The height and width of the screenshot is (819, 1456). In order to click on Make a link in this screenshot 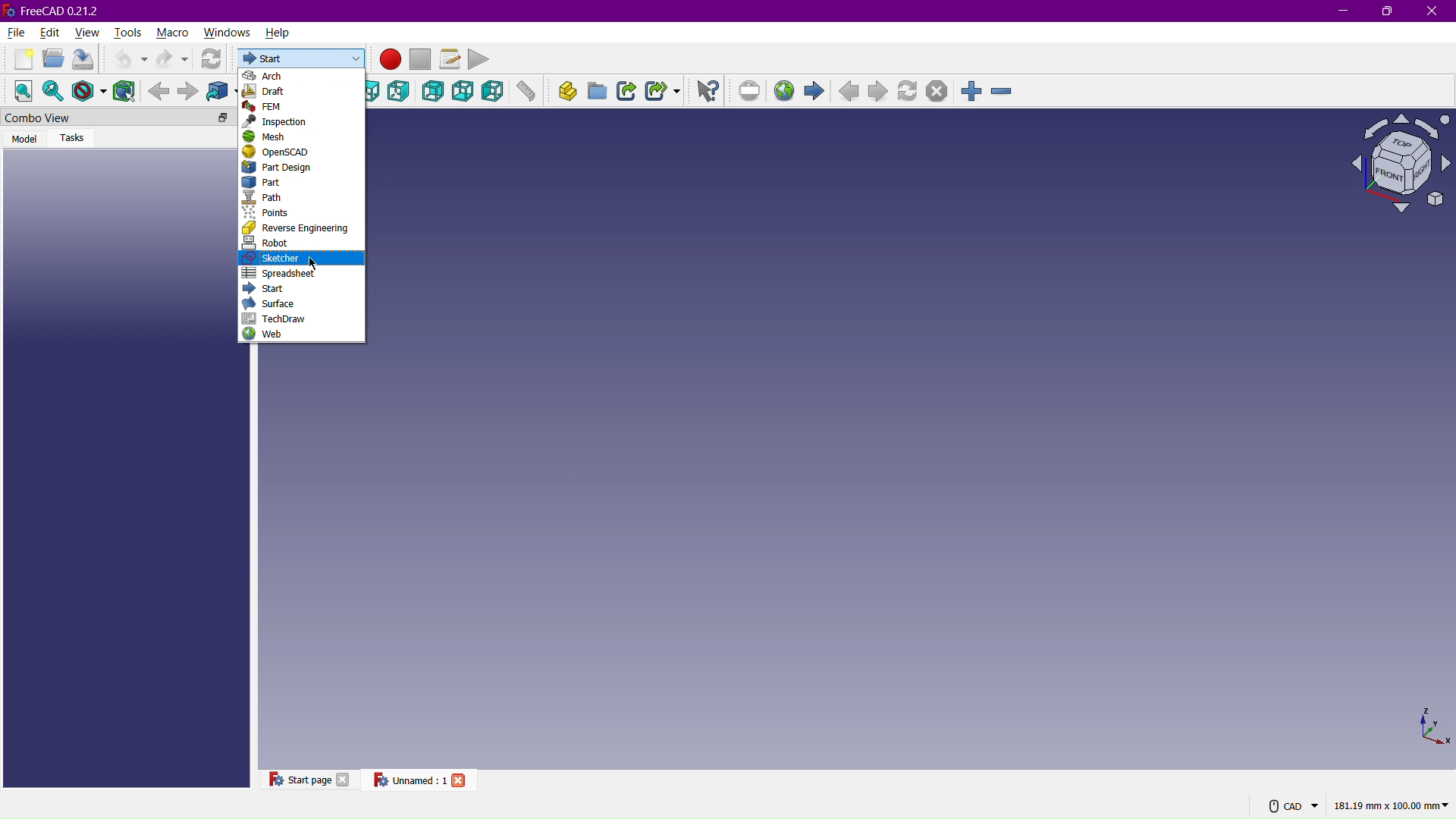, I will do `click(625, 89)`.